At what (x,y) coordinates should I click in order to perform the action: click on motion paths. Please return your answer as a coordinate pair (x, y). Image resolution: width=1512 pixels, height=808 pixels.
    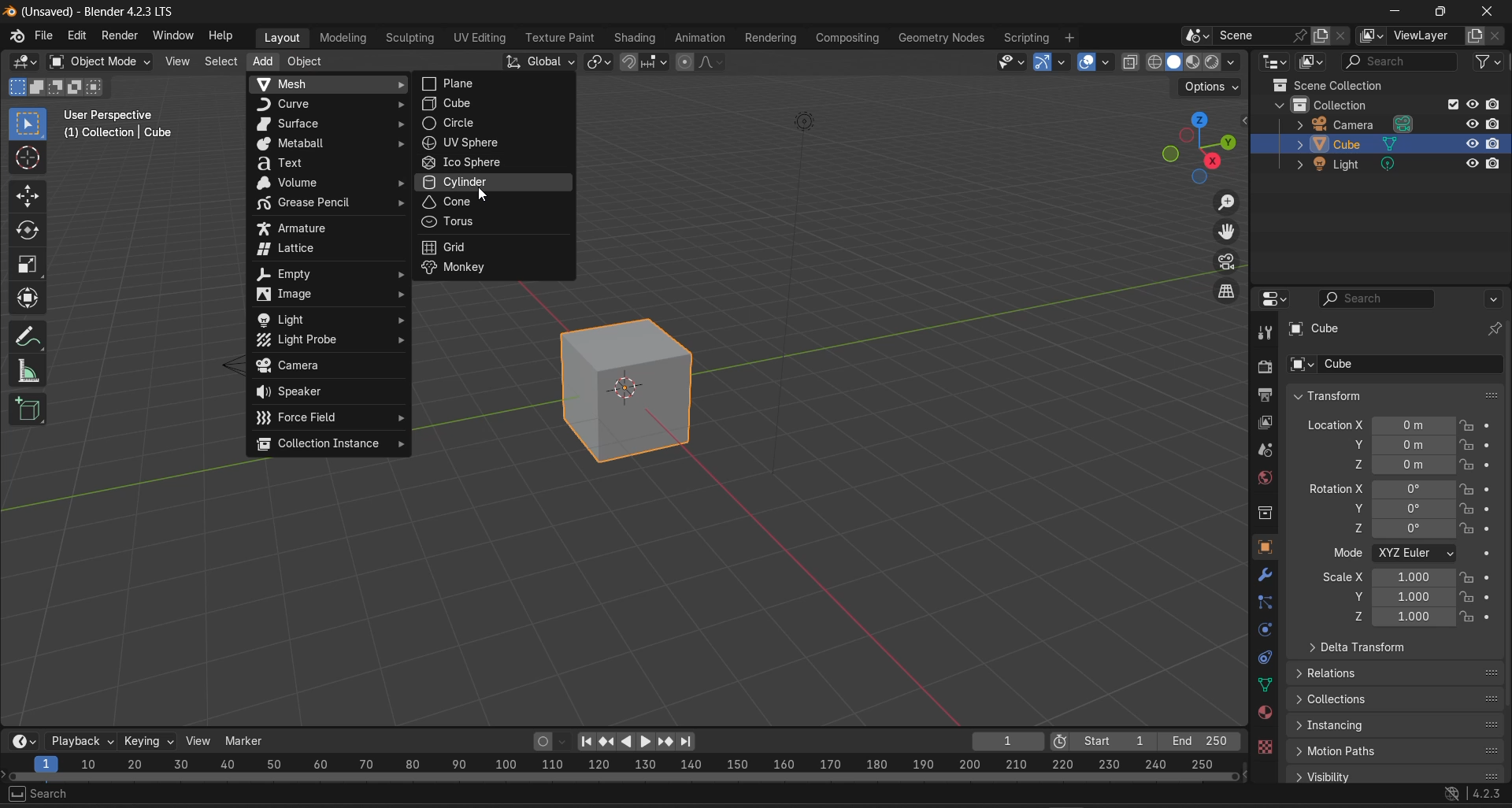
    Looking at the image, I should click on (1398, 751).